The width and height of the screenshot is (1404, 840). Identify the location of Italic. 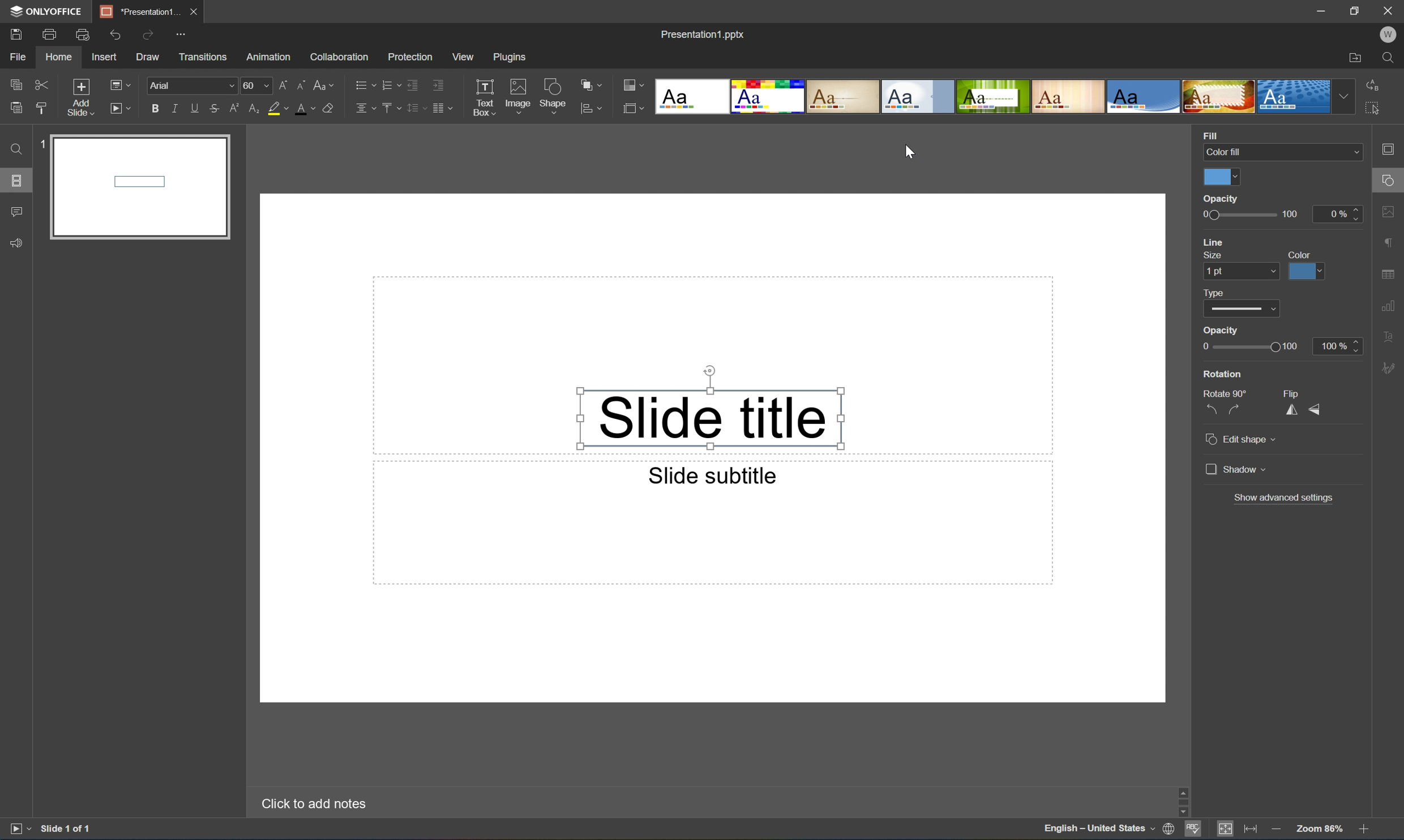
(173, 107).